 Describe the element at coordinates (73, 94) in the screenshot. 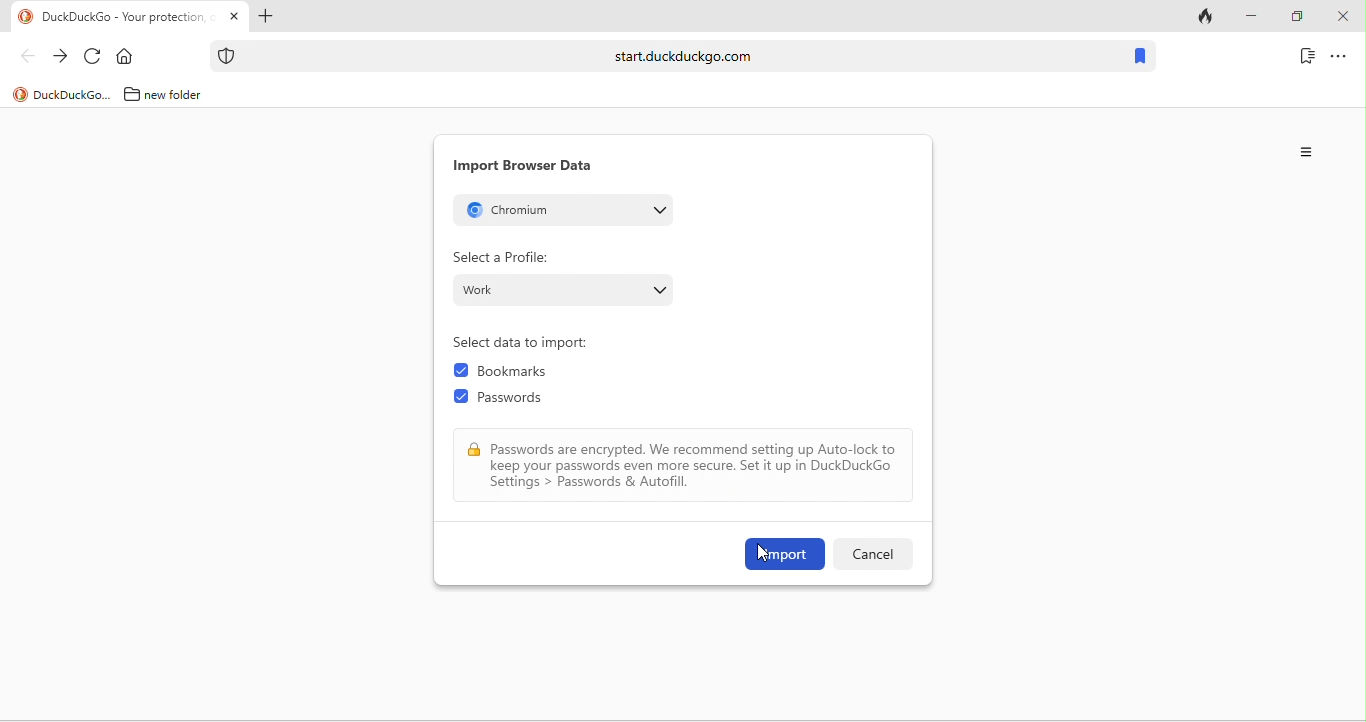

I see `DuckDuckGo...` at that location.